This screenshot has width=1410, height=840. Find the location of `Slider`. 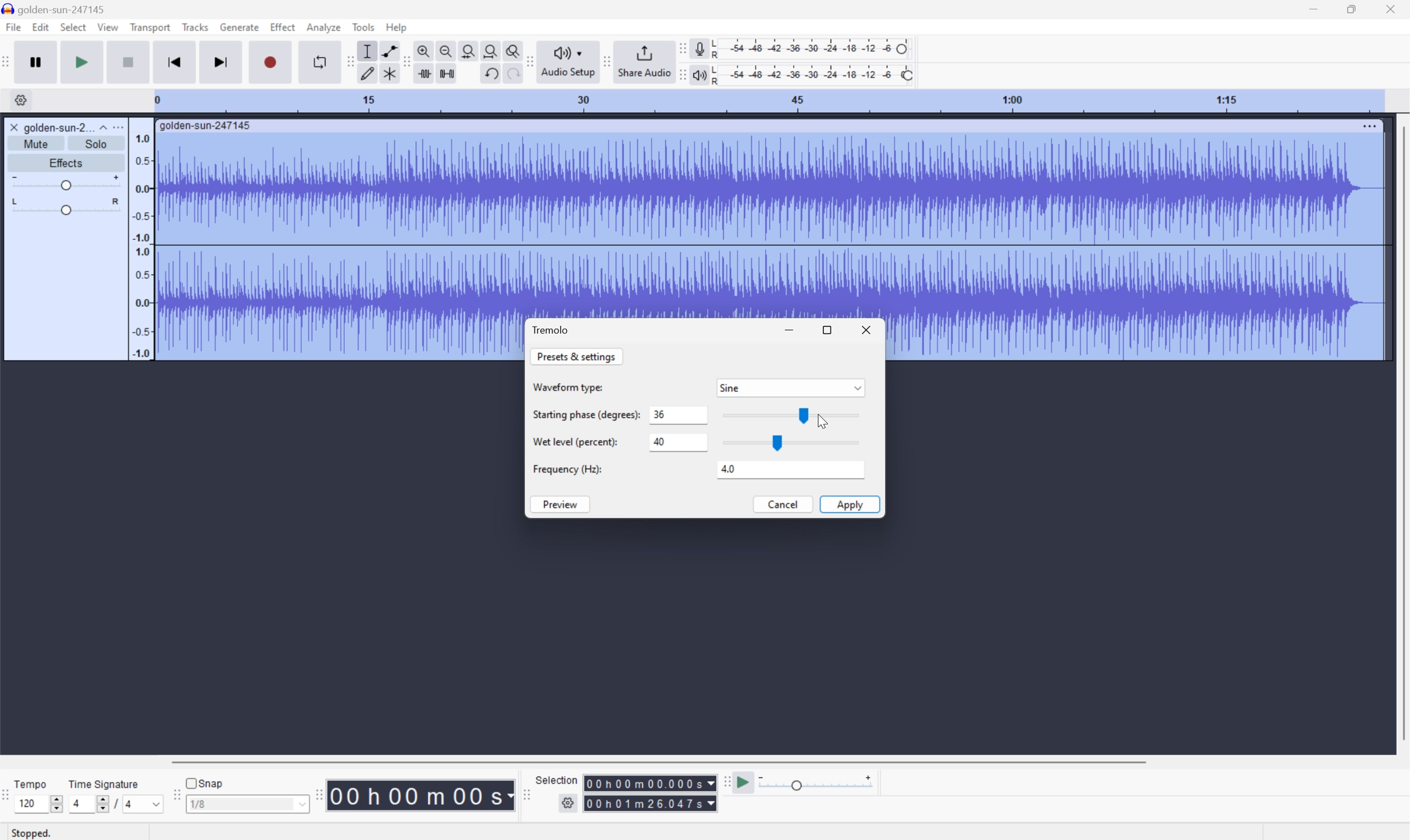

Slider is located at coordinates (788, 414).